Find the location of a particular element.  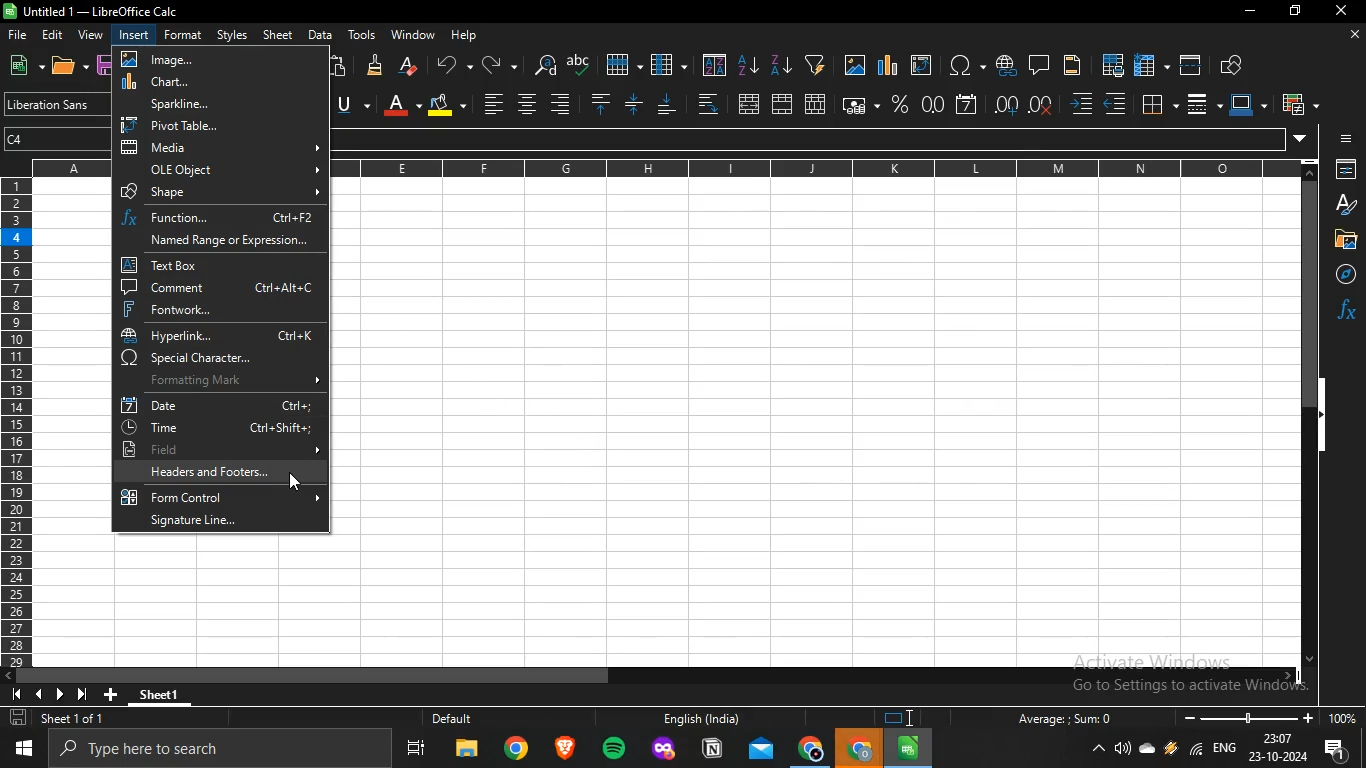

format as currency is located at coordinates (855, 104).